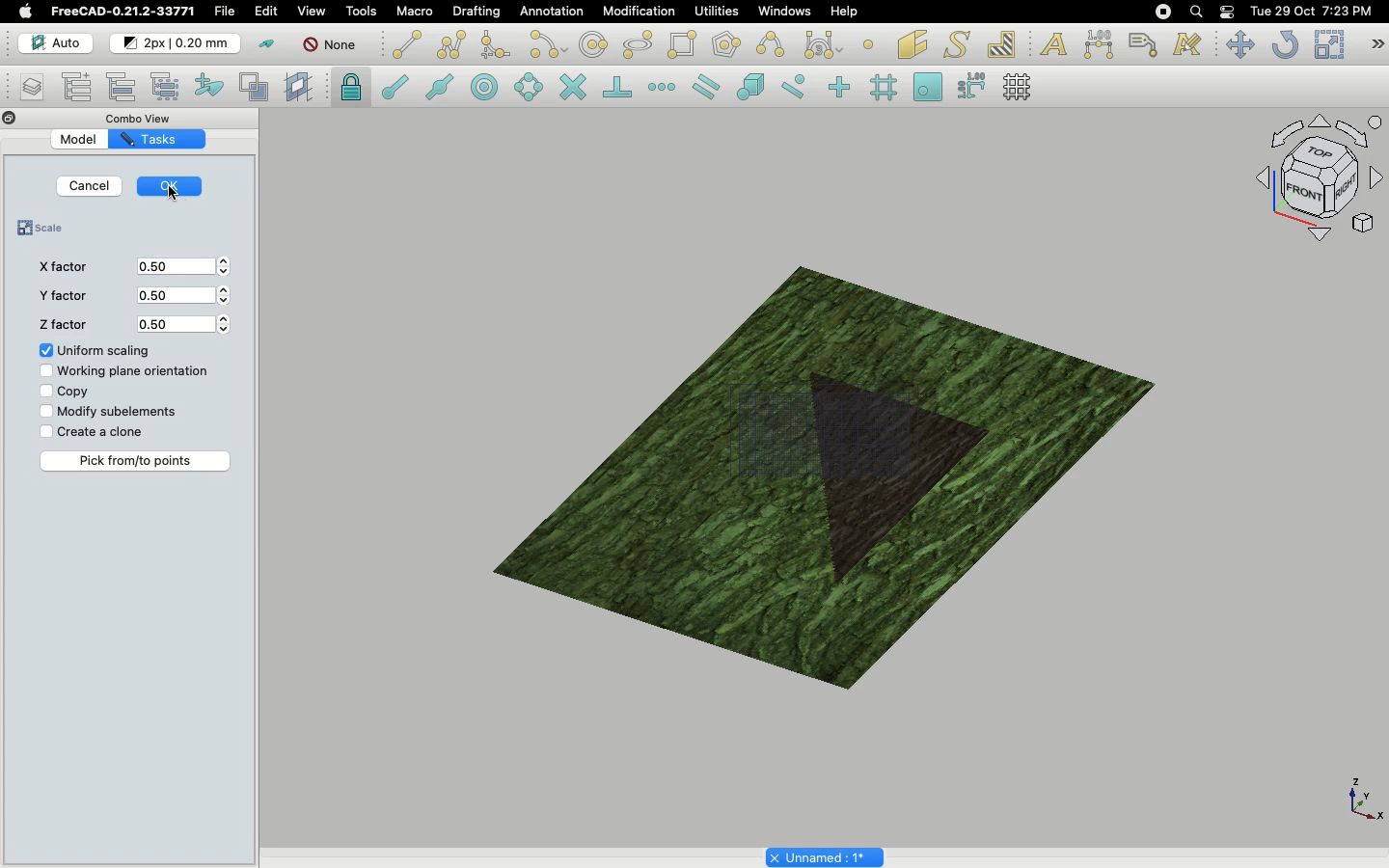 The height and width of the screenshot is (868, 1389). What do you see at coordinates (168, 86) in the screenshot?
I see `Select group` at bounding box center [168, 86].